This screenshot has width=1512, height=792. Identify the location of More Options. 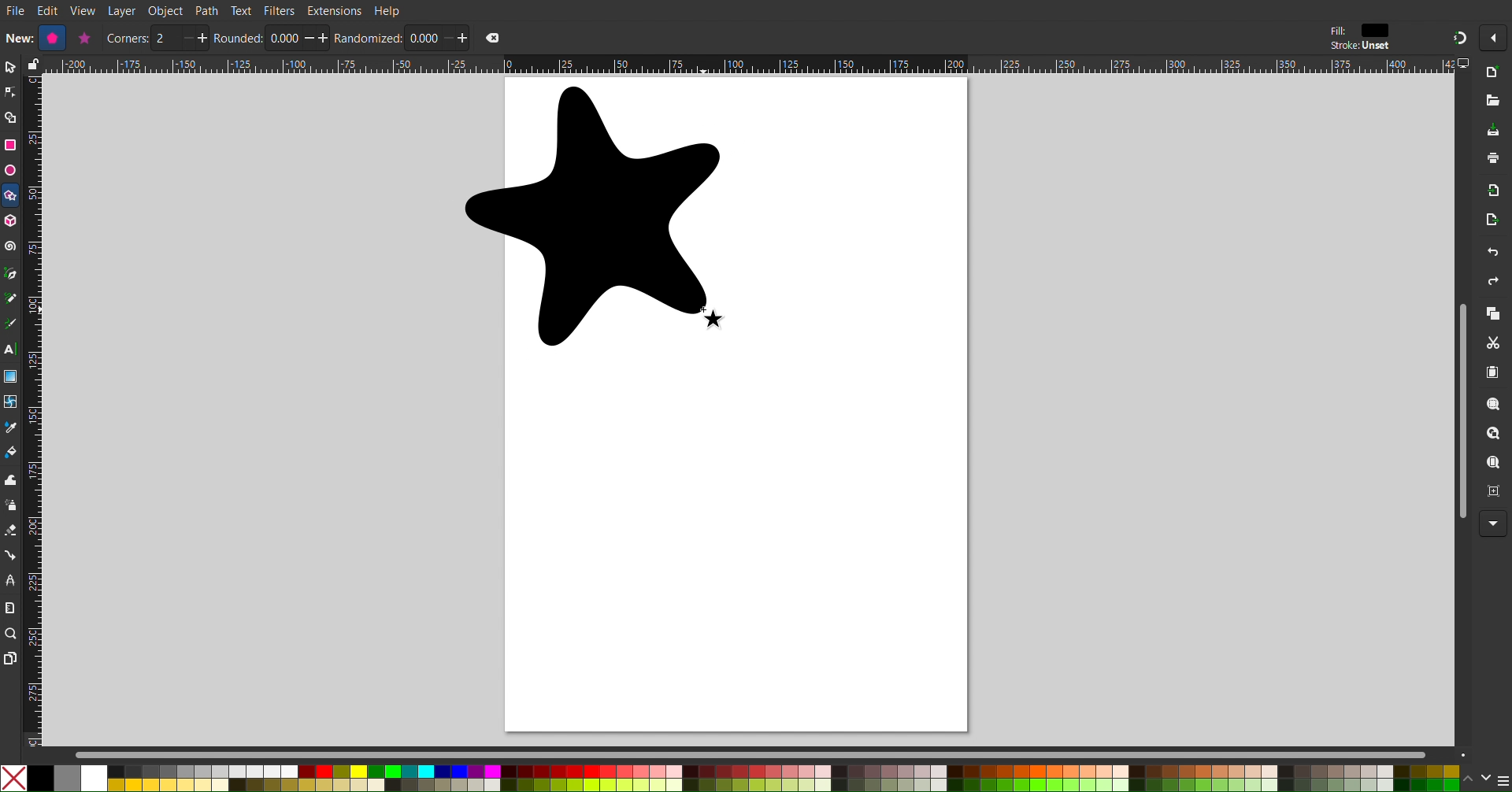
(1497, 38).